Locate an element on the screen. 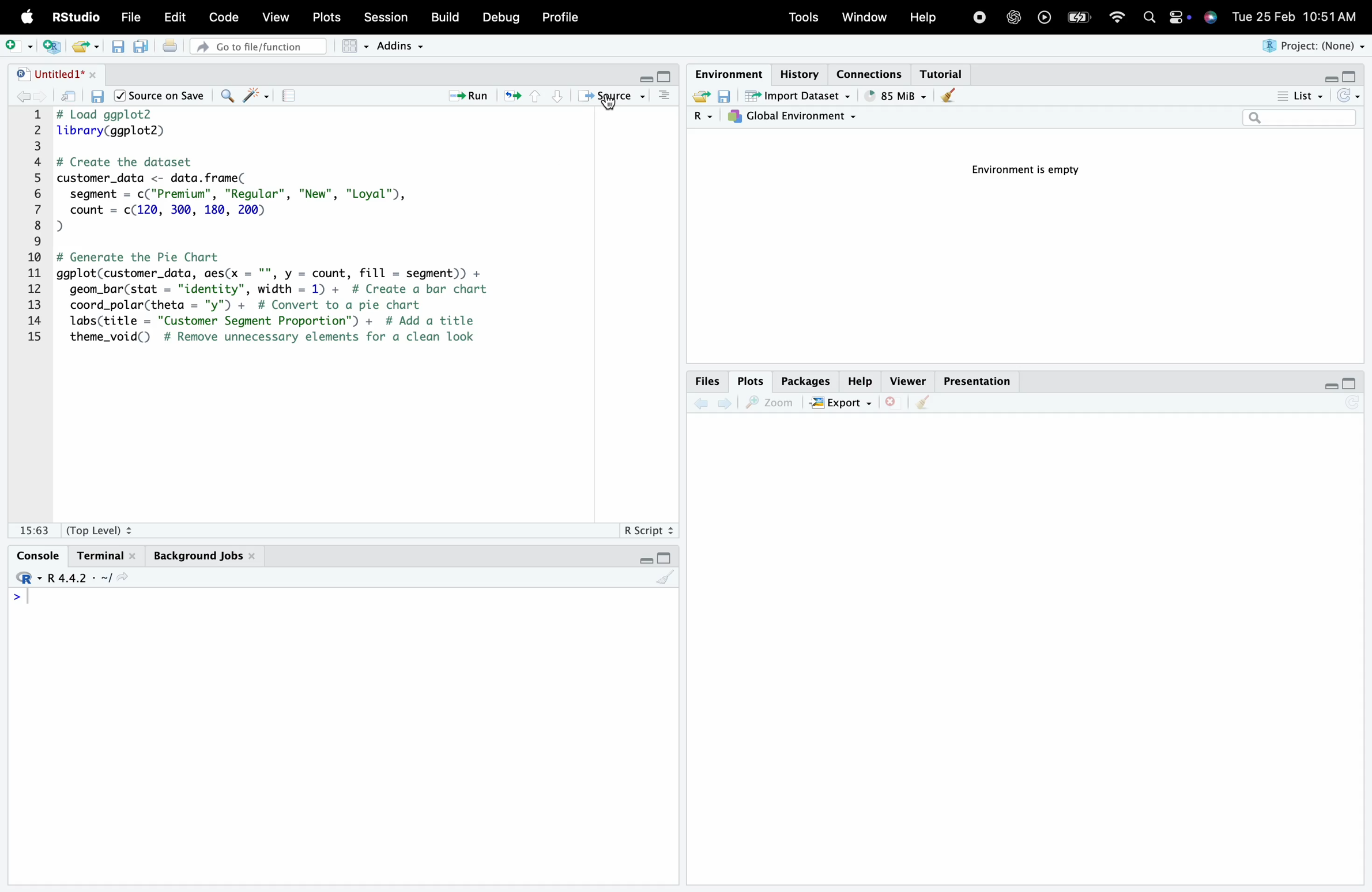 This screenshot has height=892, width=1372. 7}, Global Environment is located at coordinates (796, 116).